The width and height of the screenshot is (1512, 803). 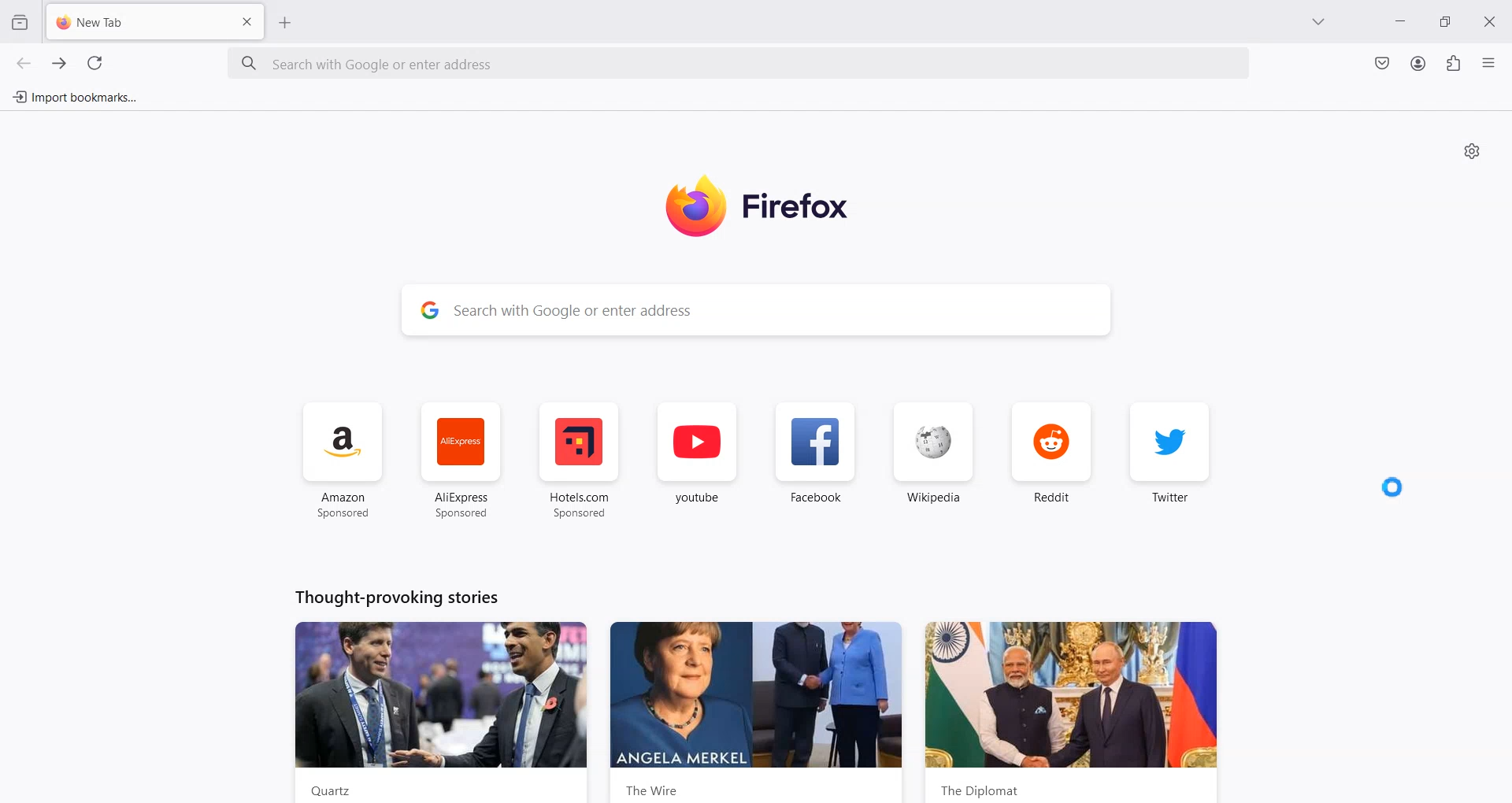 I want to click on New Tab, so click(x=132, y=23).